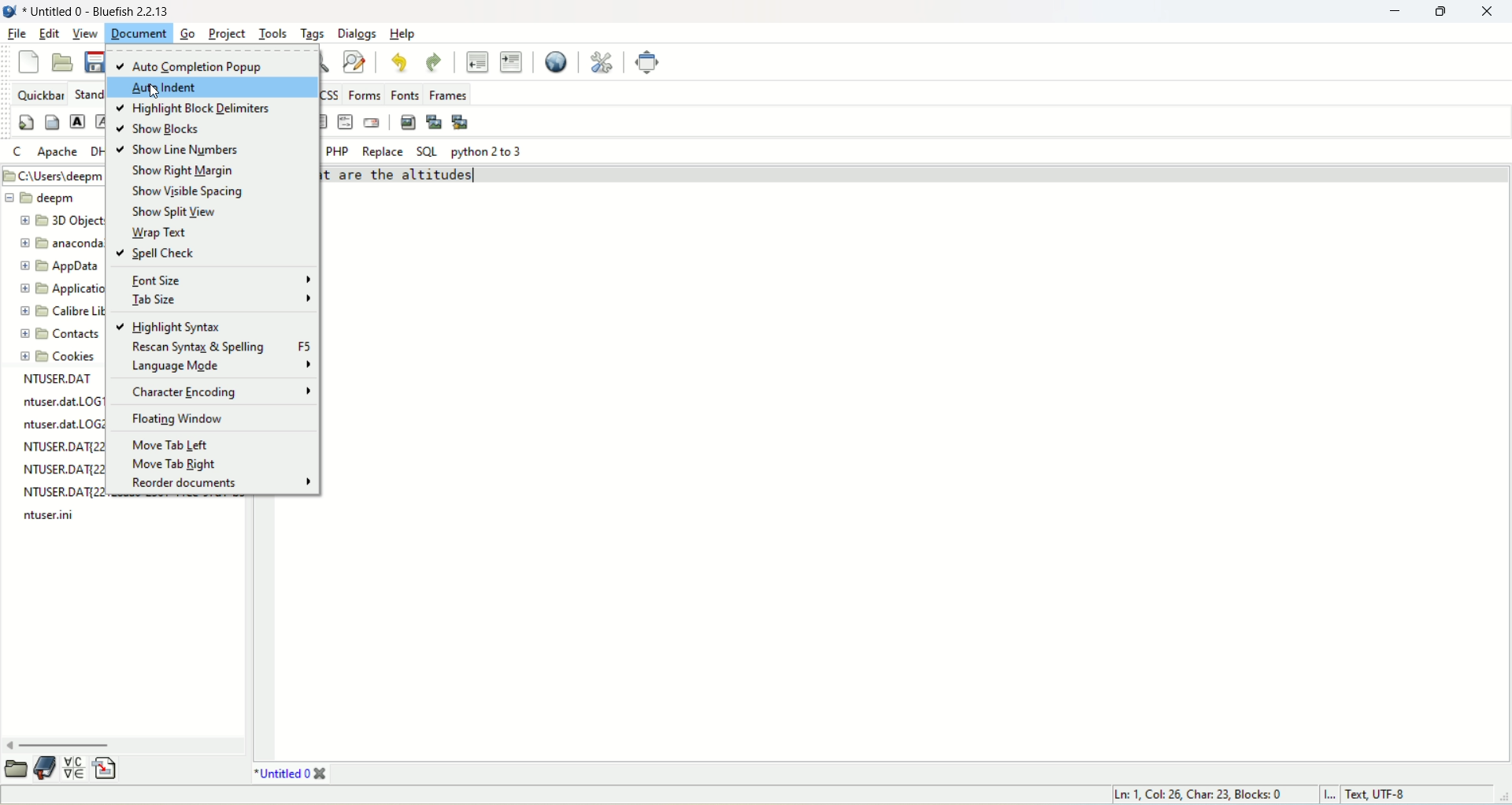  Describe the element at coordinates (162, 231) in the screenshot. I see `wrap text` at that location.